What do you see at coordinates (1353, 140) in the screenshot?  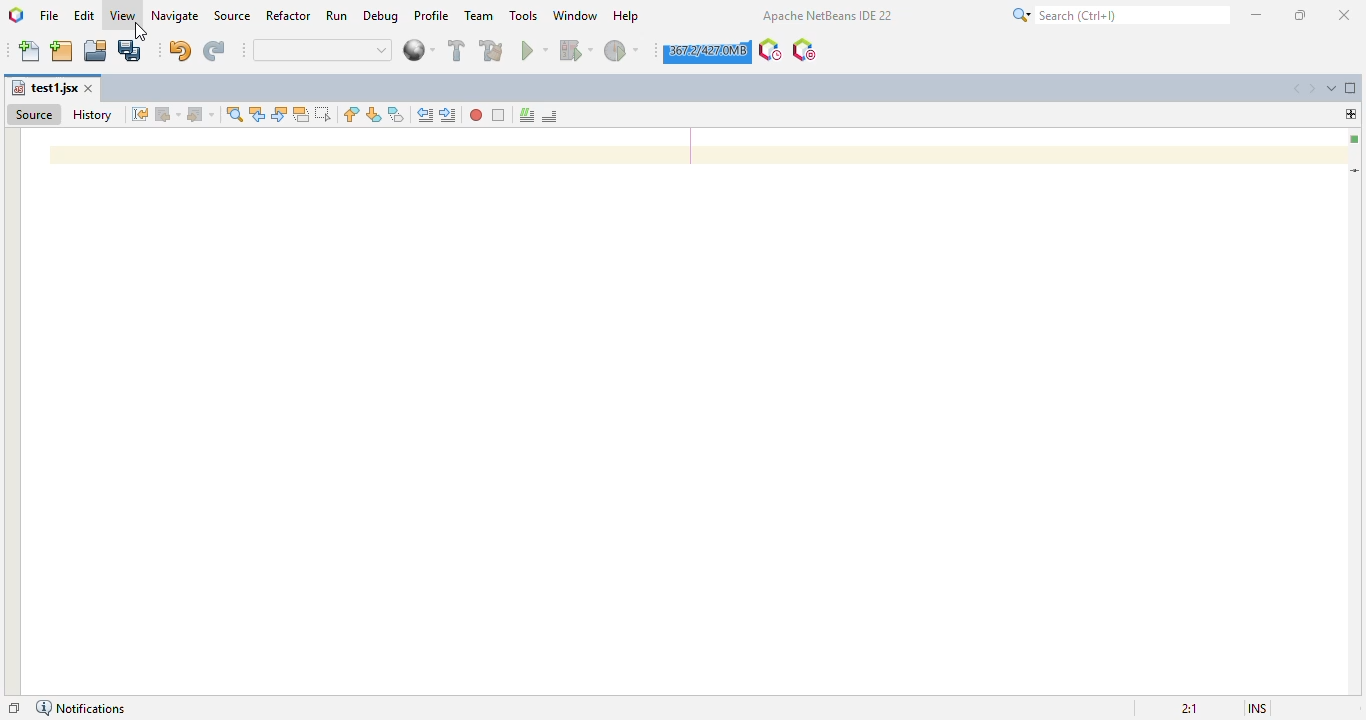 I see `no errors` at bounding box center [1353, 140].